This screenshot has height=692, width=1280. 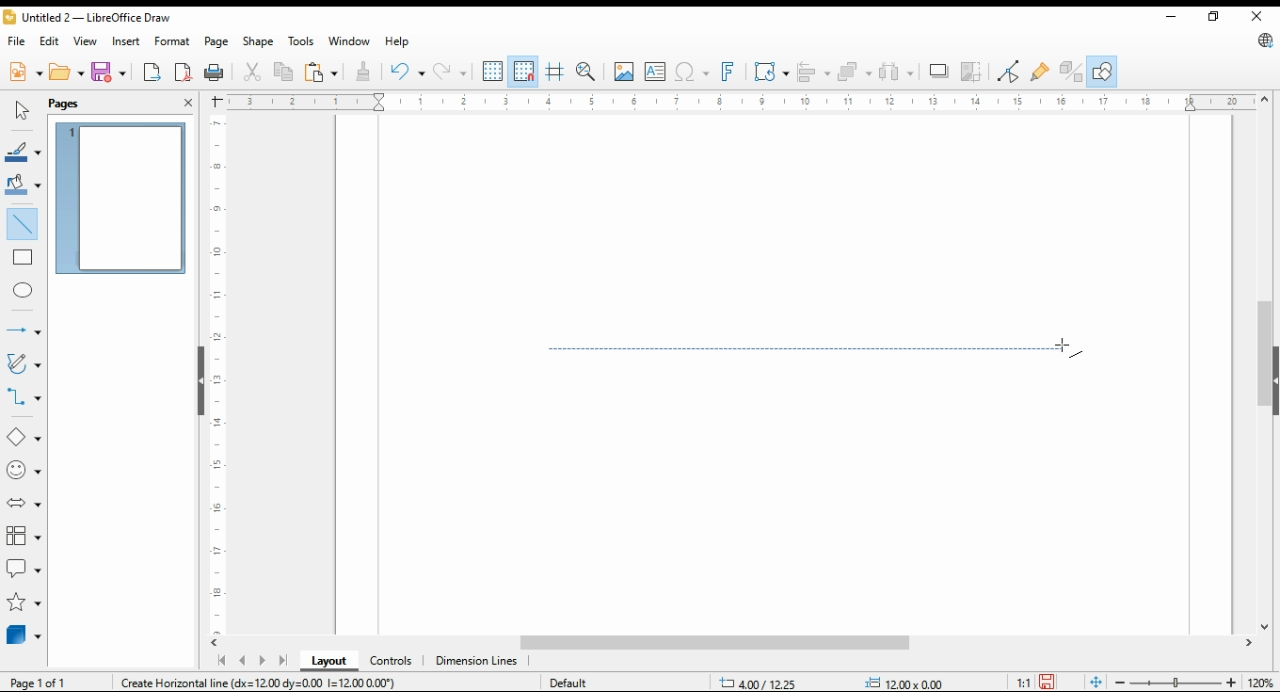 I want to click on redo, so click(x=449, y=71).